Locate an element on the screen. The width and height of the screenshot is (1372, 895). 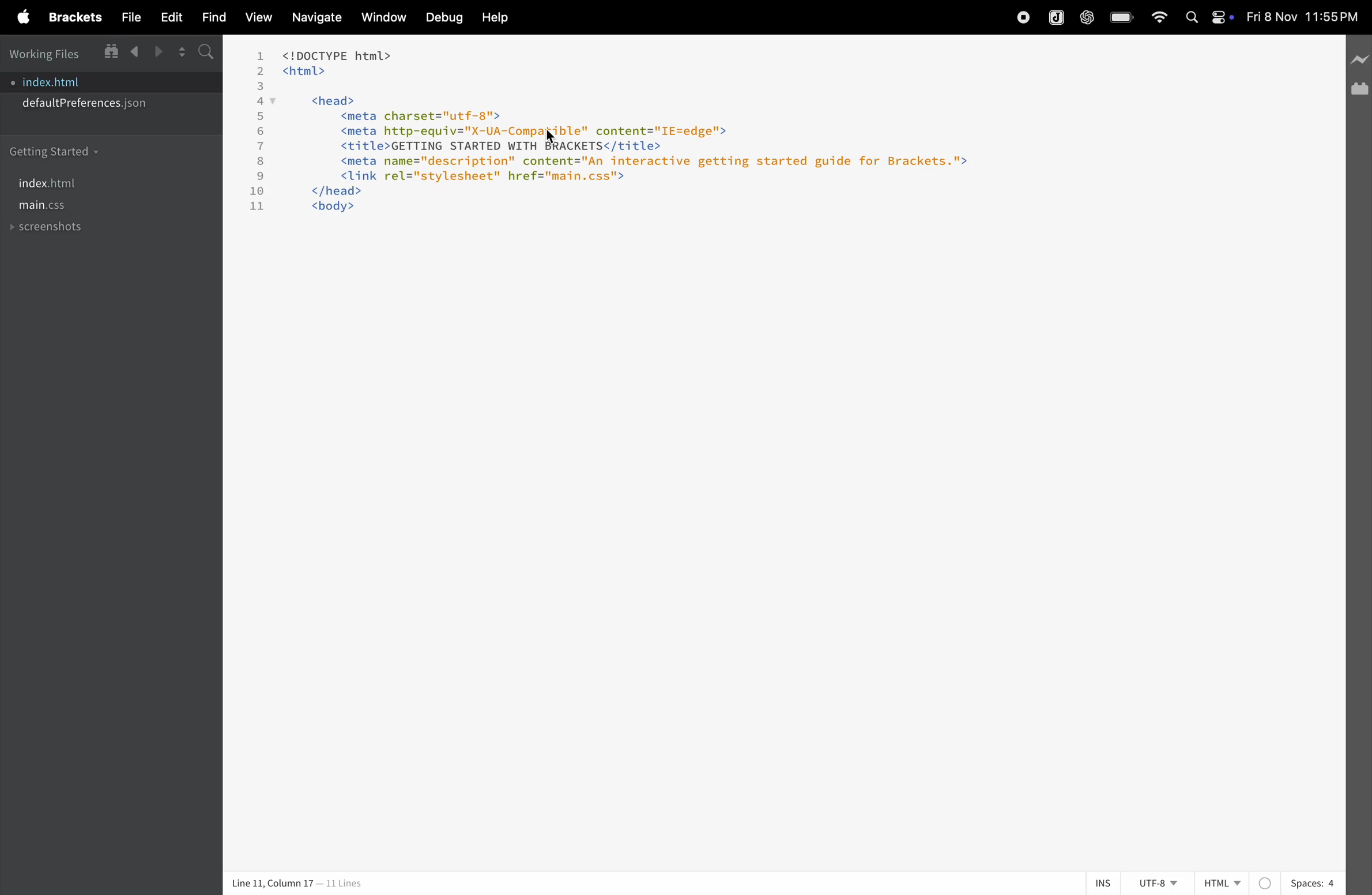
1 <!DOCTYPE html>2 <html>3 4 <head>5 <meta charset="utf-8">6 <meta http-equiv="X-UA-Compajible" content="IE=edge">7 <title>GETTING STARTED WITH Backers julie8 <meta name="description" content="An interactive getting started guide for Brackets.">9 <link rel="stylesheet" href="main.css">10 </head>11 <body> is located at coordinates (657, 142).